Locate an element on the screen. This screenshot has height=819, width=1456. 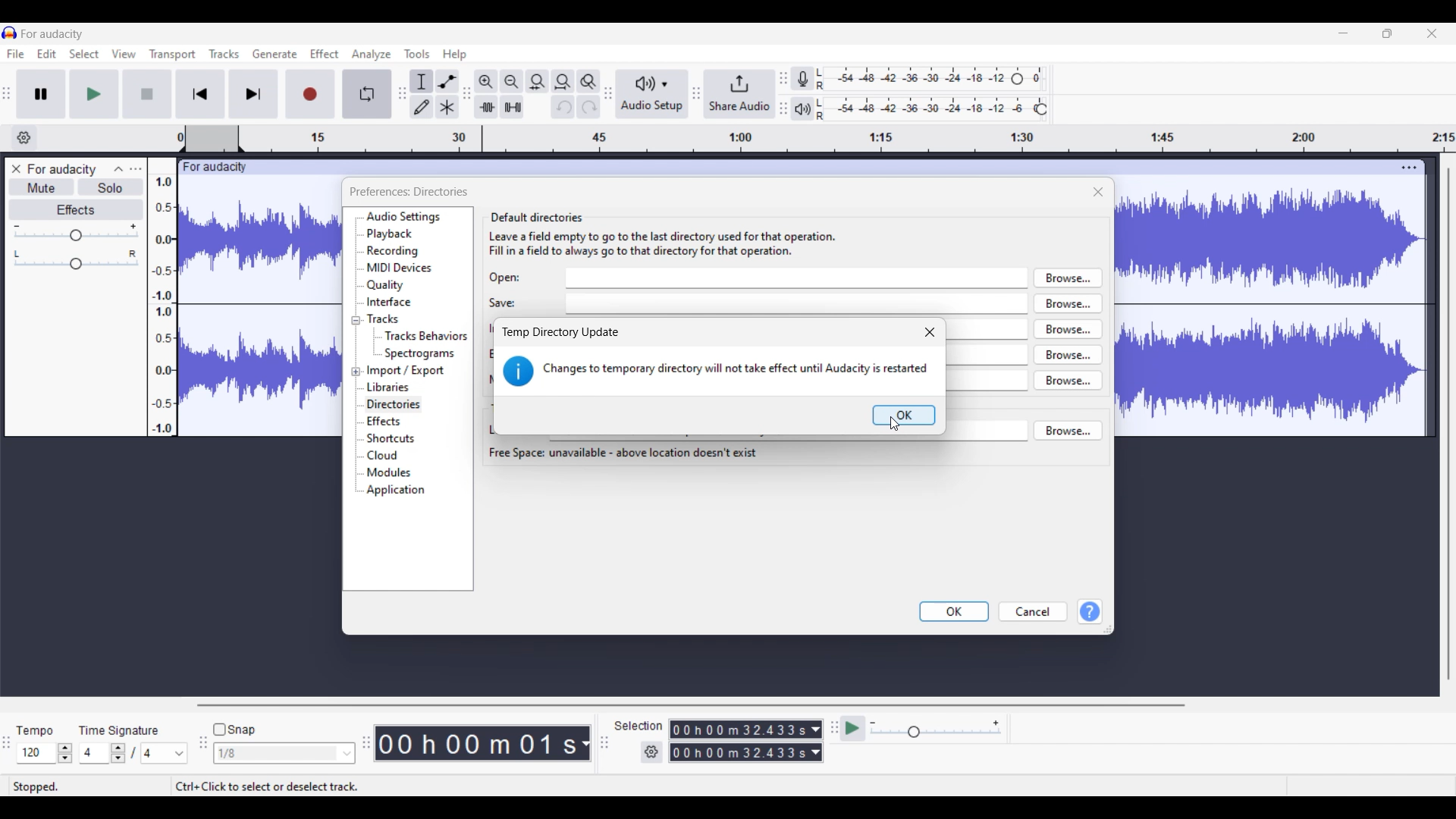
OK is located at coordinates (904, 415).